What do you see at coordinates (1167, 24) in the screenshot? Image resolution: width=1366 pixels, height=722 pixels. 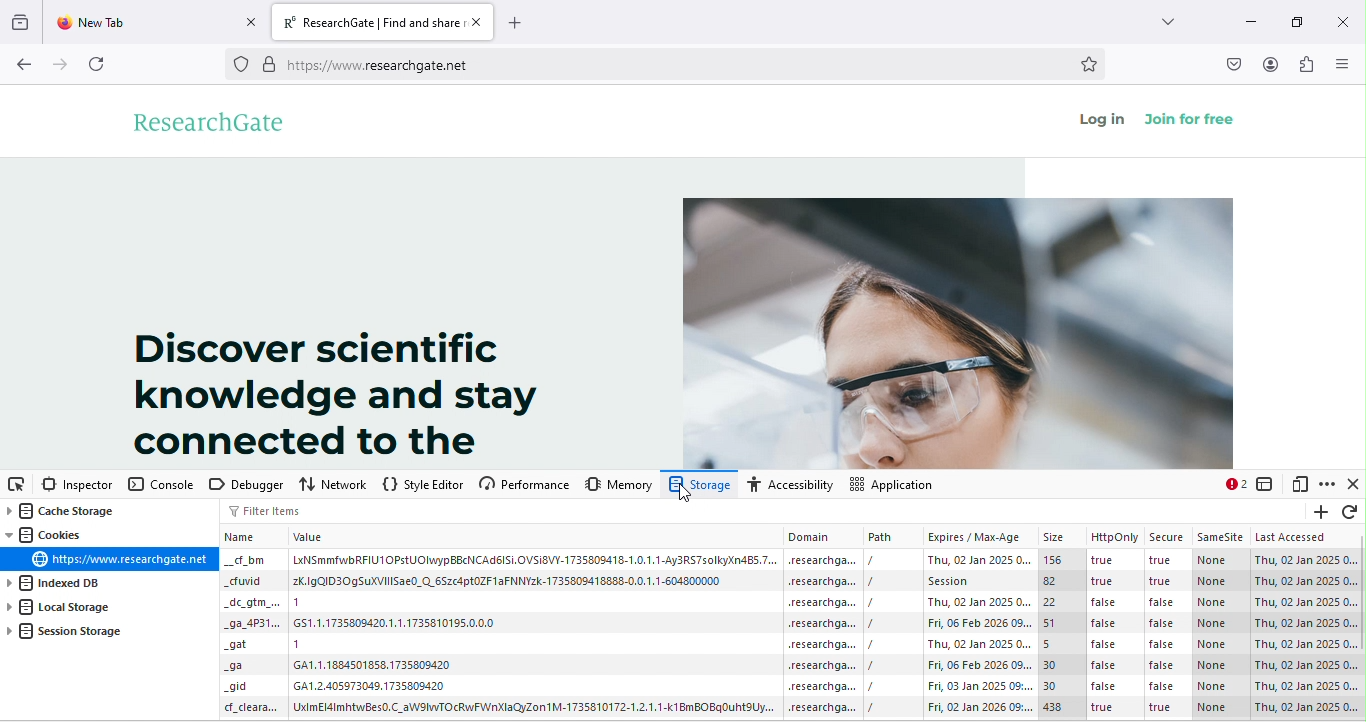 I see `more` at bounding box center [1167, 24].